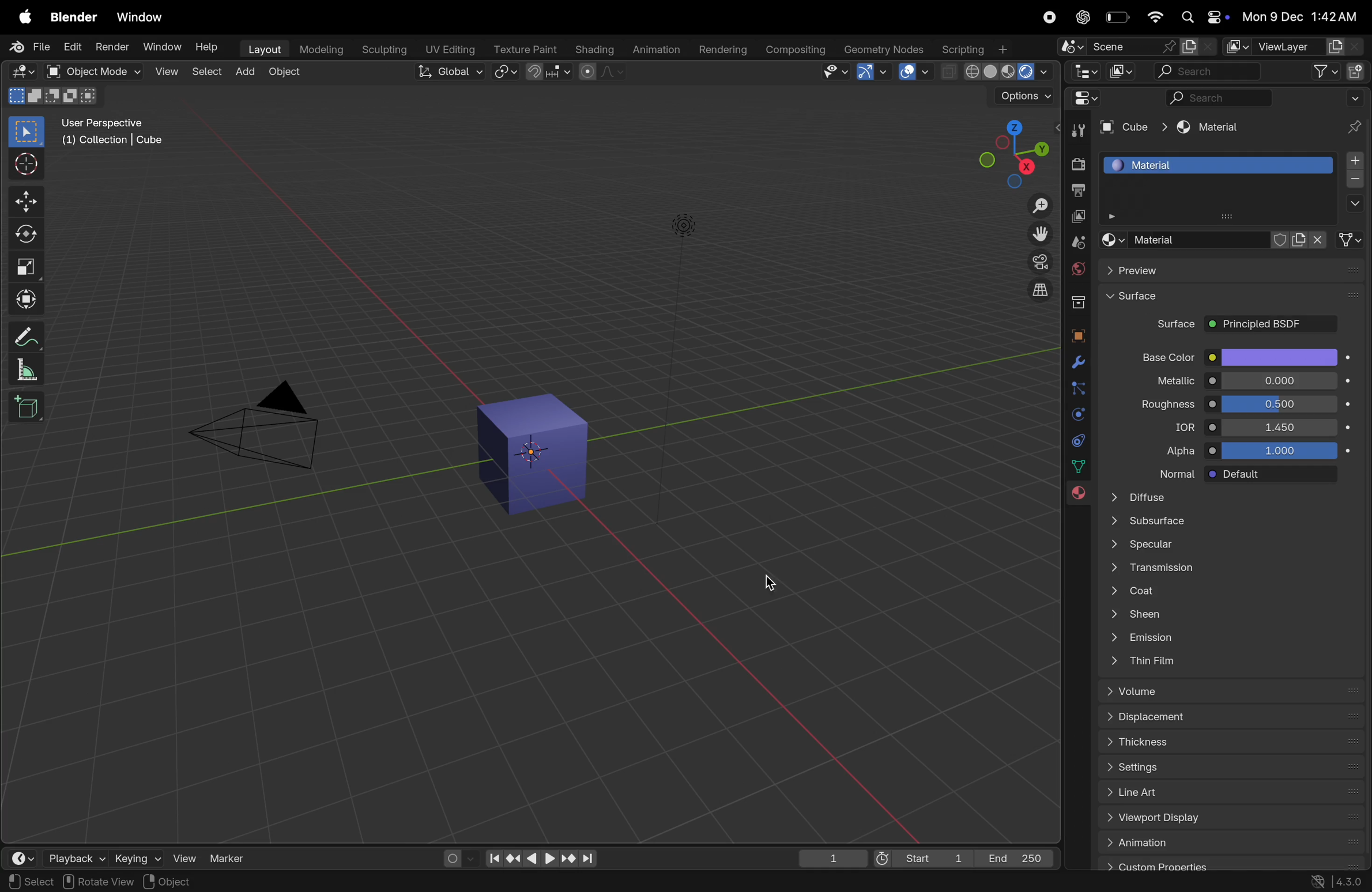 This screenshot has width=1372, height=892. Describe the element at coordinates (1280, 404) in the screenshot. I see `0.500` at that location.